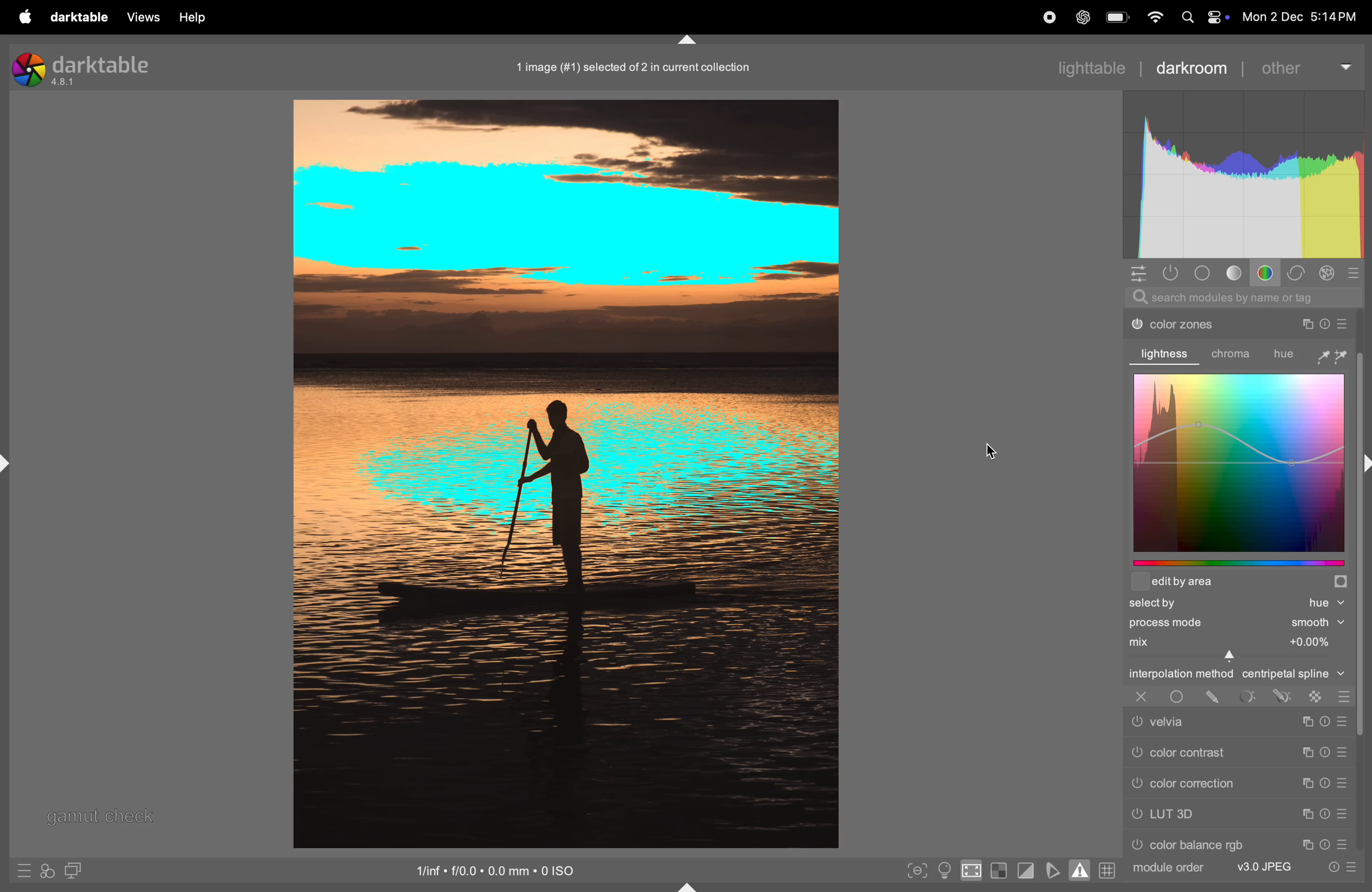 Image resolution: width=1372 pixels, height=892 pixels. Describe the element at coordinates (1239, 584) in the screenshot. I see `edit area` at that location.